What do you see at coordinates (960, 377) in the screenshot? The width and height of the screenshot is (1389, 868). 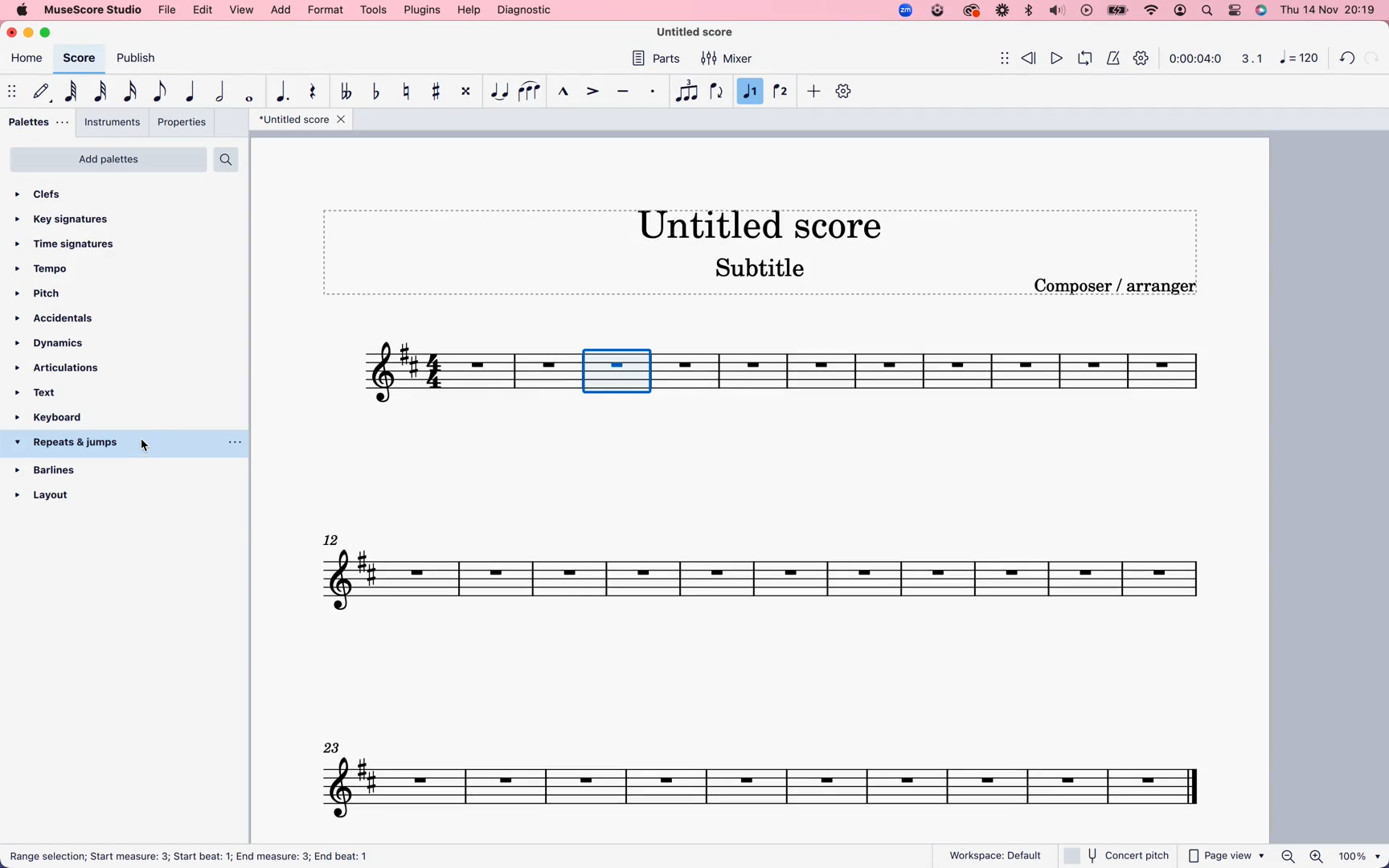 I see `score` at bounding box center [960, 377].